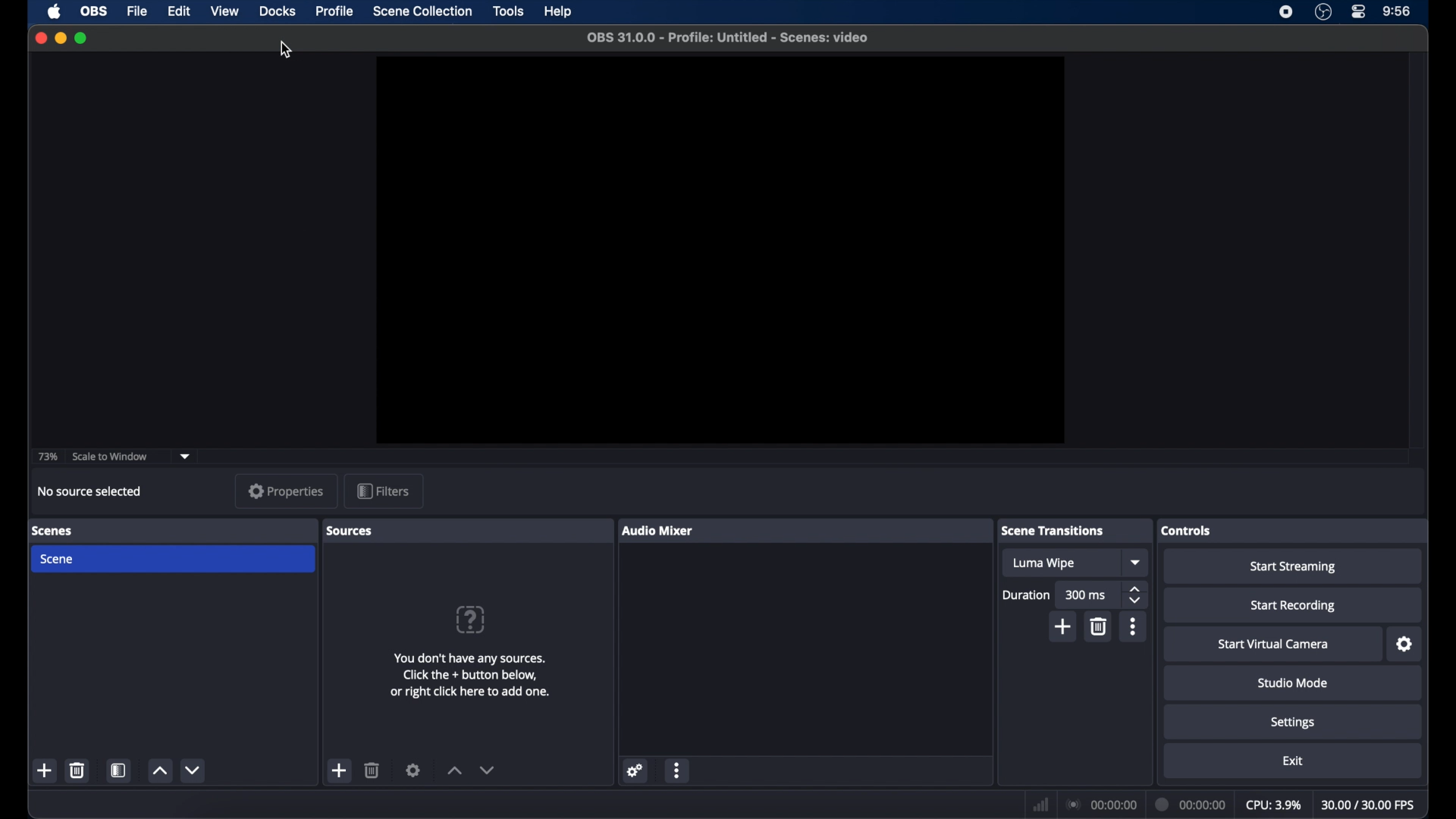 This screenshot has height=819, width=1456. What do you see at coordinates (1197, 529) in the screenshot?
I see `controls` at bounding box center [1197, 529].